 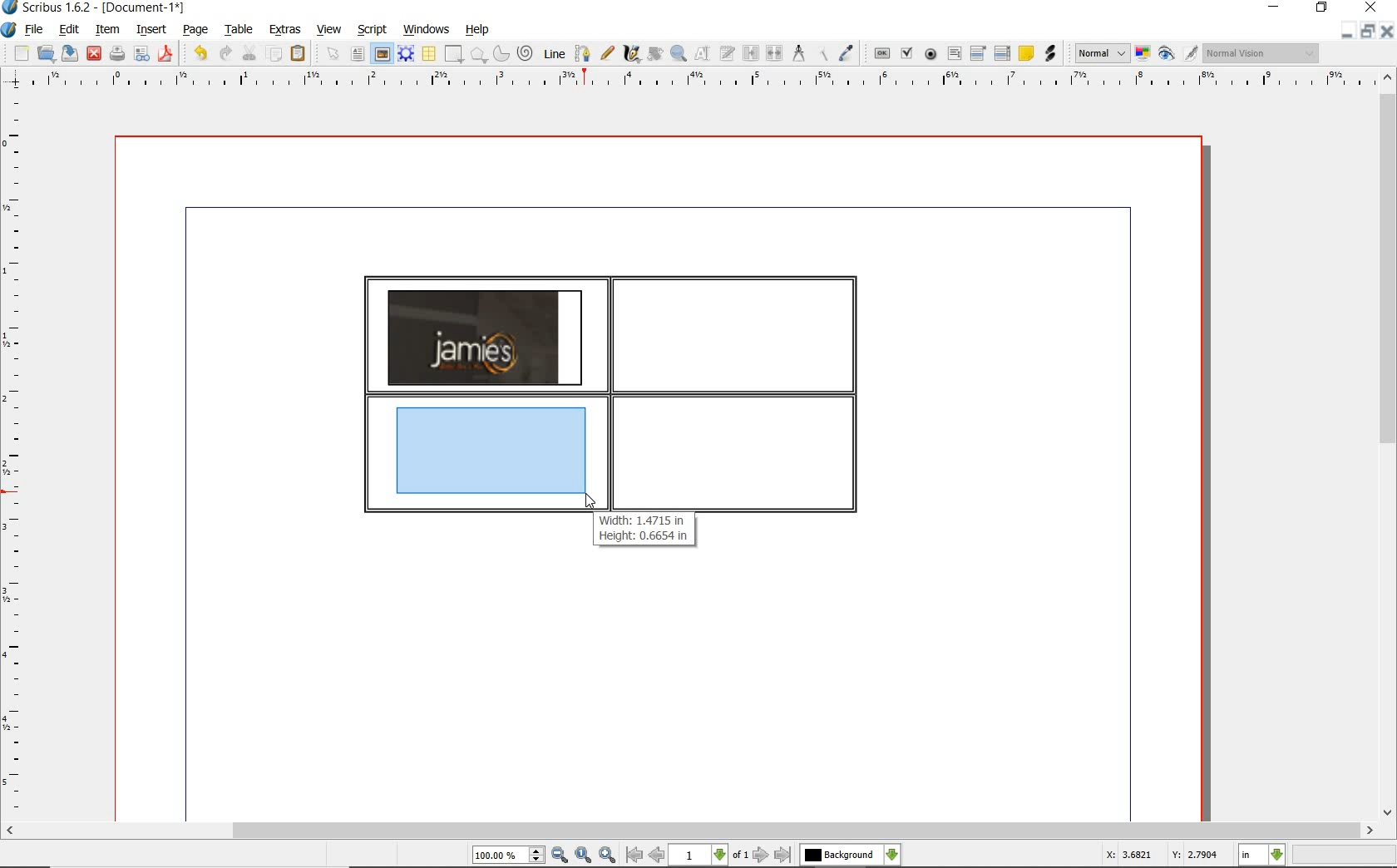 I want to click on copy item properties, so click(x=822, y=54).